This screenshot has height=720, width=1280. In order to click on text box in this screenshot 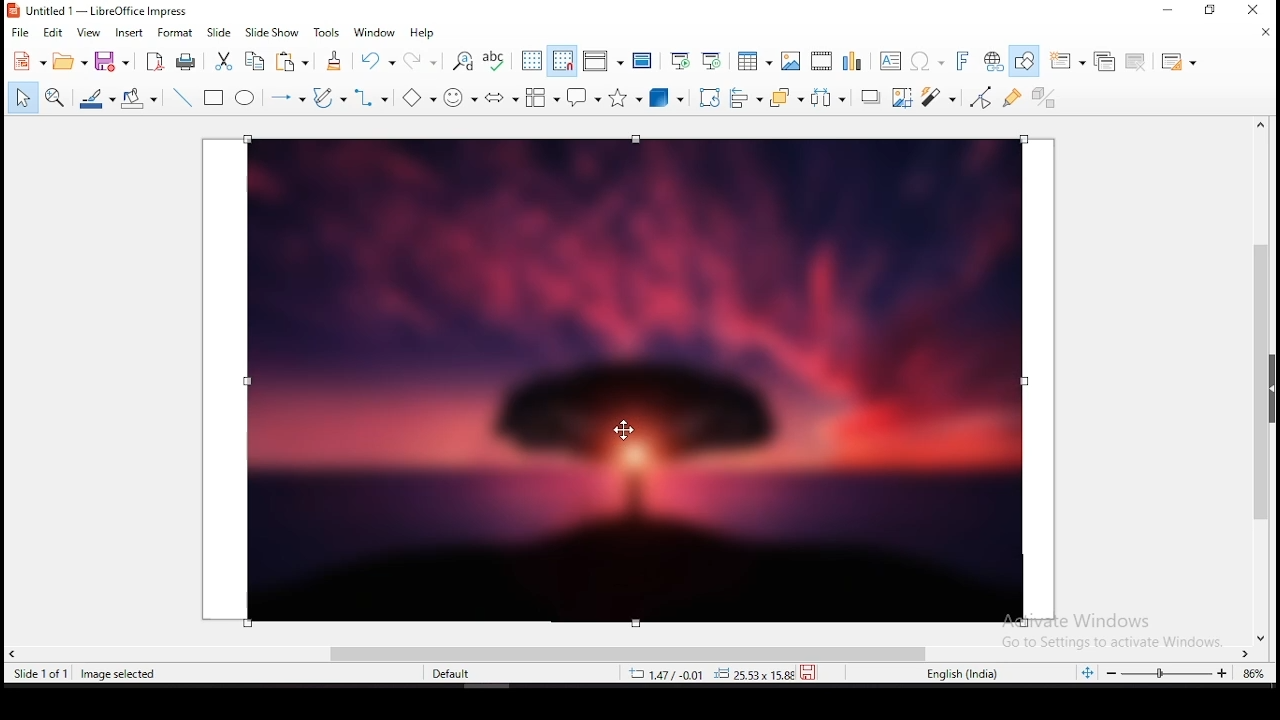, I will do `click(890, 61)`.